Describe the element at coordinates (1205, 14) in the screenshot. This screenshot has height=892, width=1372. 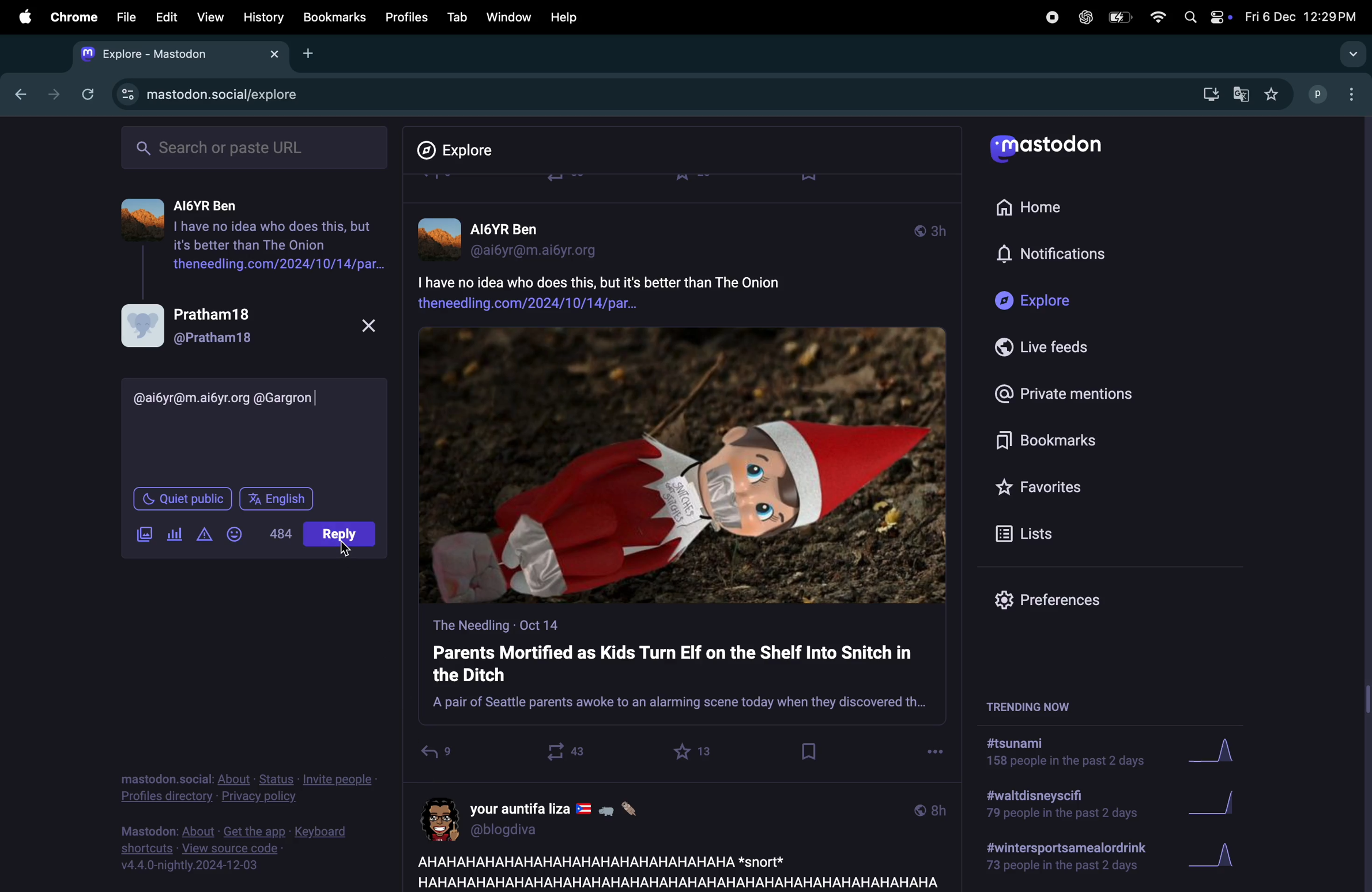
I see `apple widfgets` at that location.